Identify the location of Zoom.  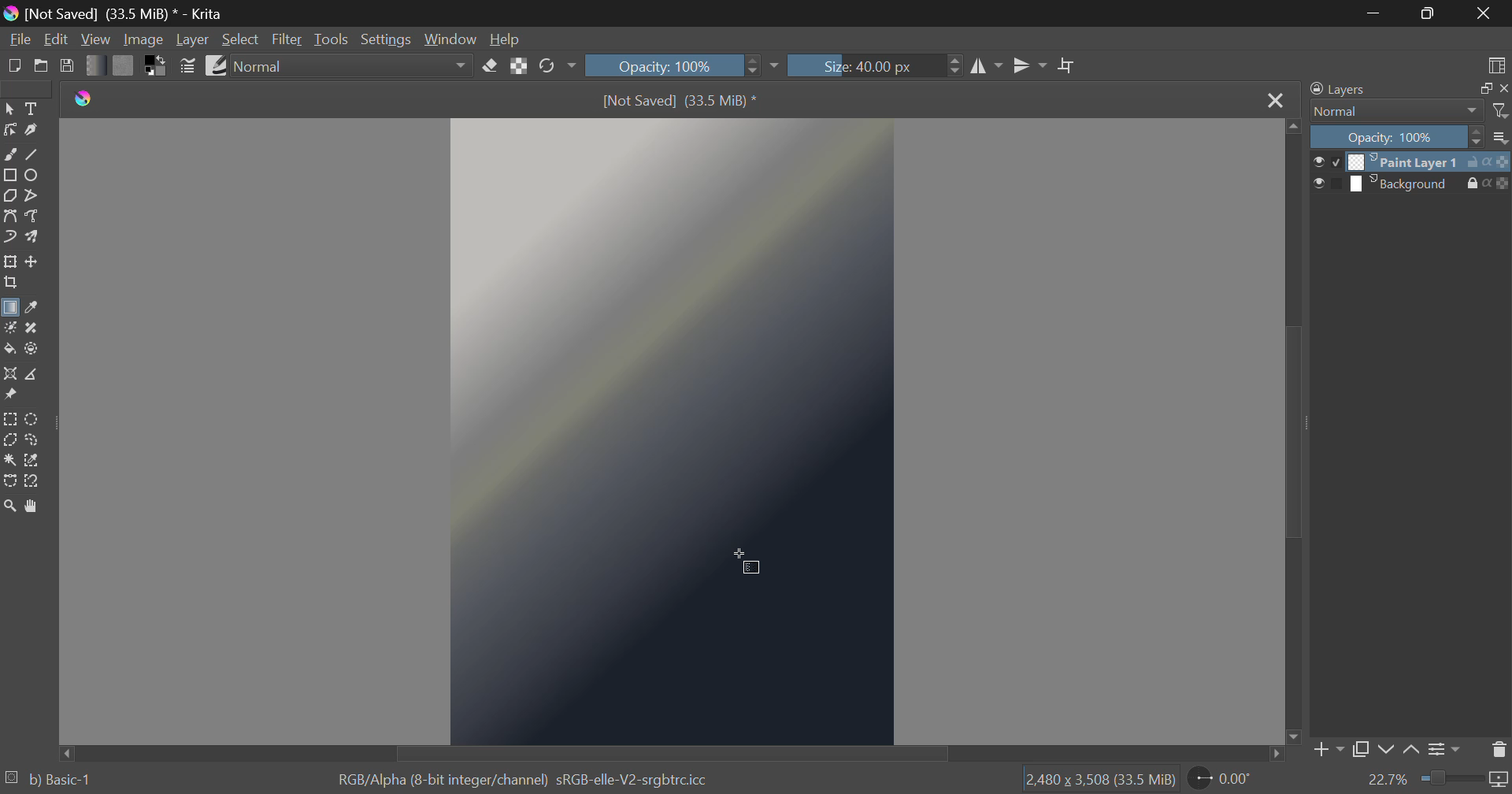
(9, 506).